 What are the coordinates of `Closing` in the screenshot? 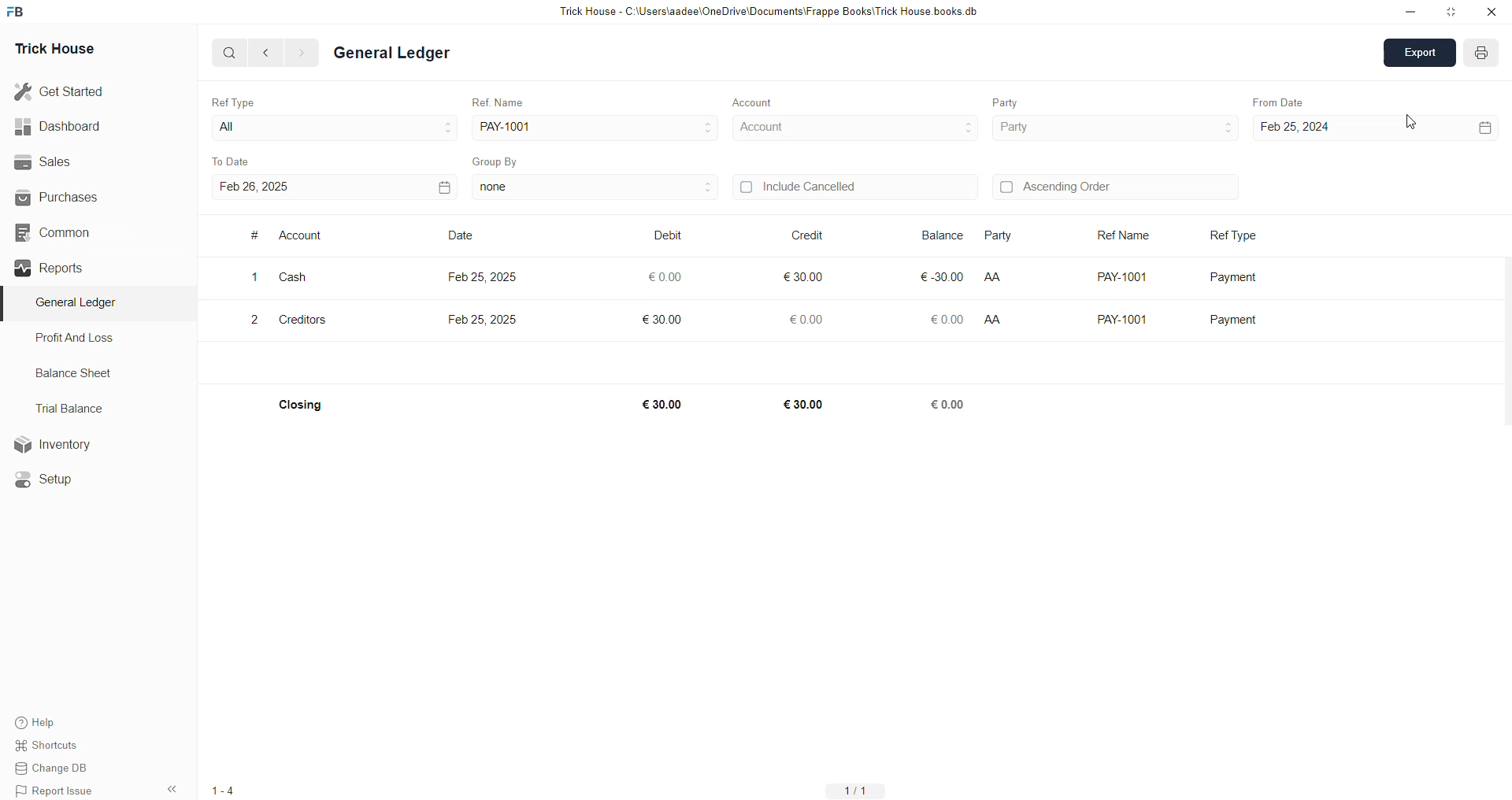 It's located at (306, 404).